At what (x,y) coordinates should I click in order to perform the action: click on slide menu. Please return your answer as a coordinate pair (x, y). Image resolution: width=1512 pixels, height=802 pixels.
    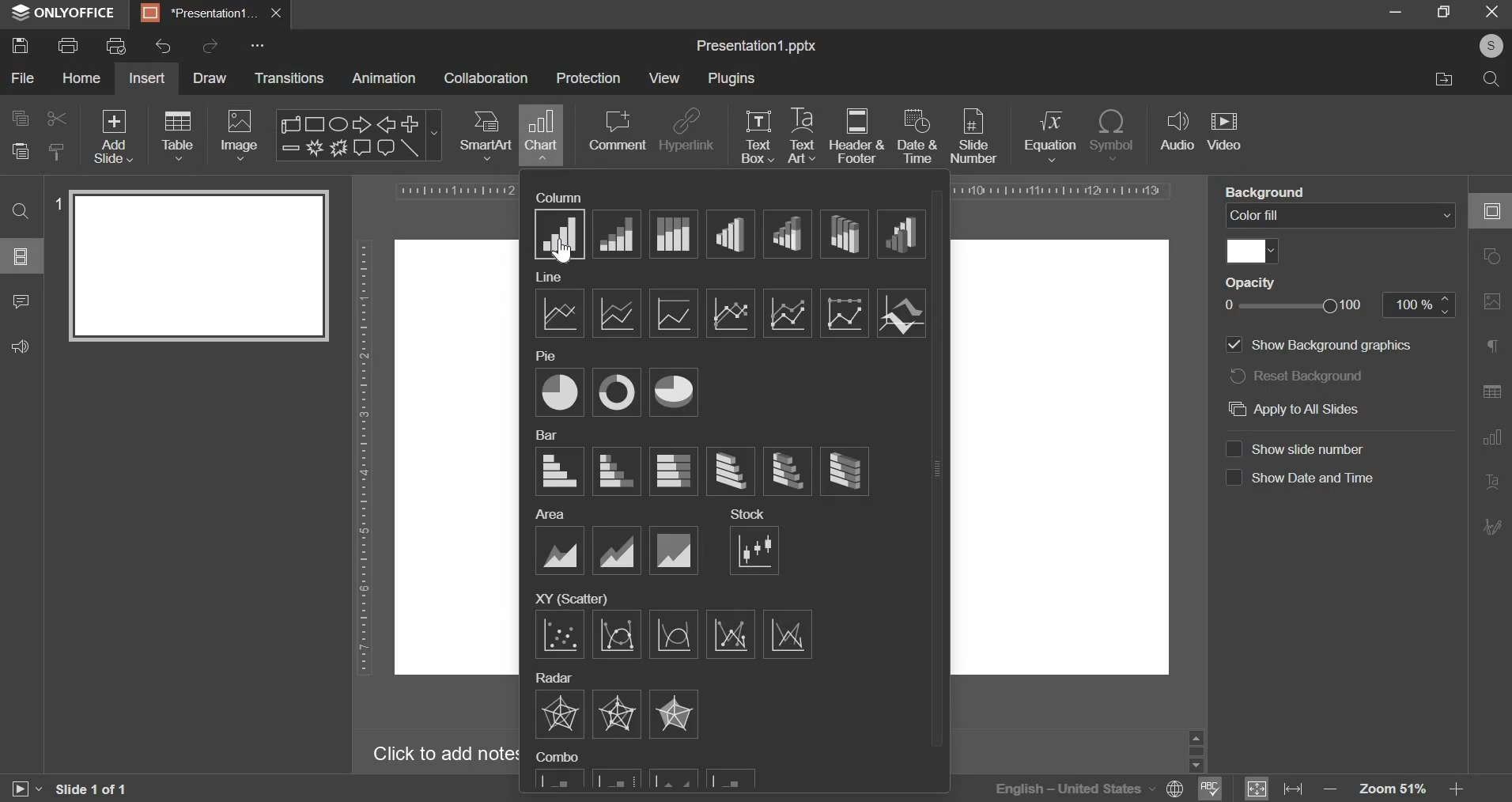
    Looking at the image, I should click on (20, 256).